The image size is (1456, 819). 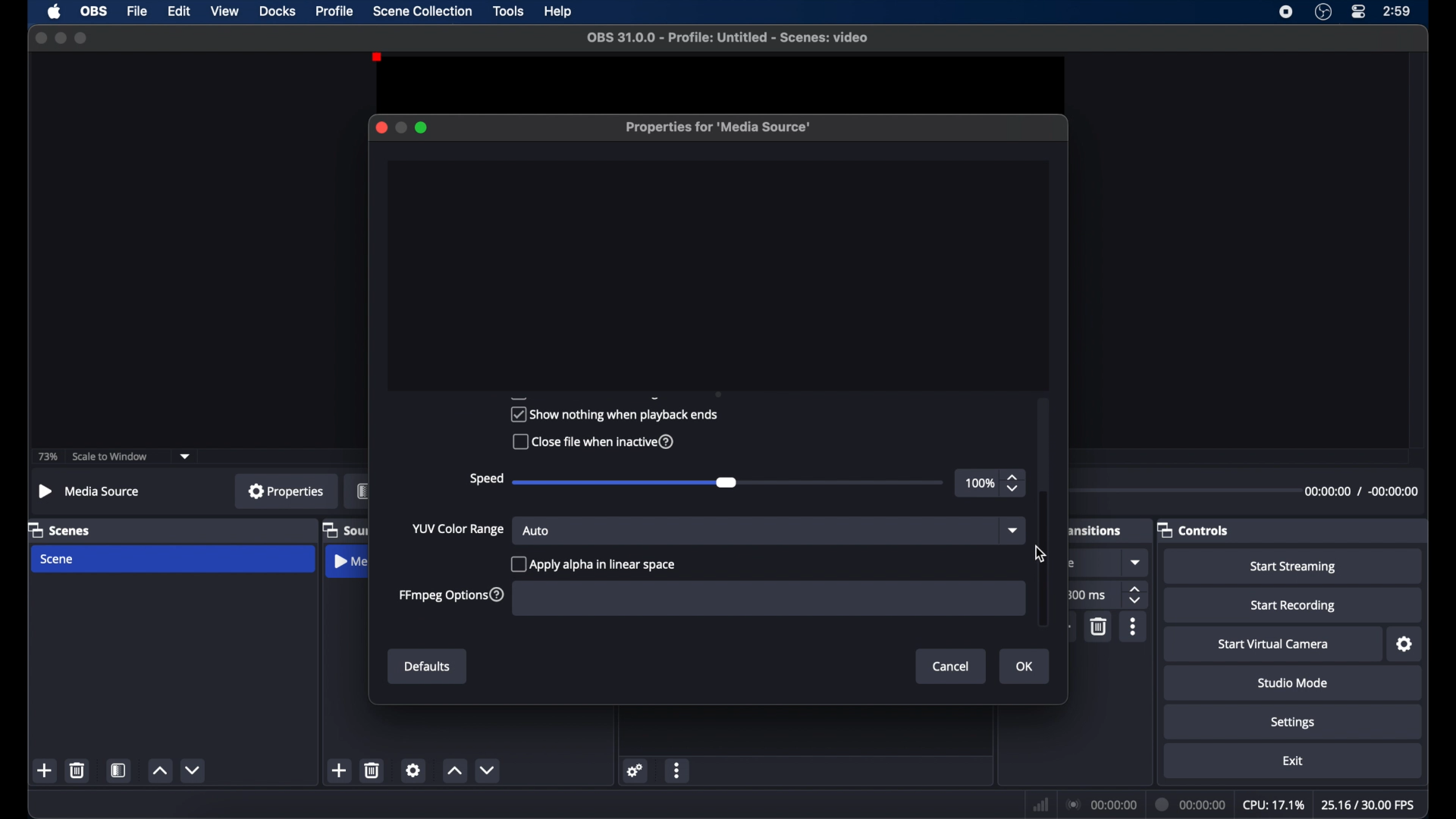 What do you see at coordinates (335, 11) in the screenshot?
I see `profile` at bounding box center [335, 11].